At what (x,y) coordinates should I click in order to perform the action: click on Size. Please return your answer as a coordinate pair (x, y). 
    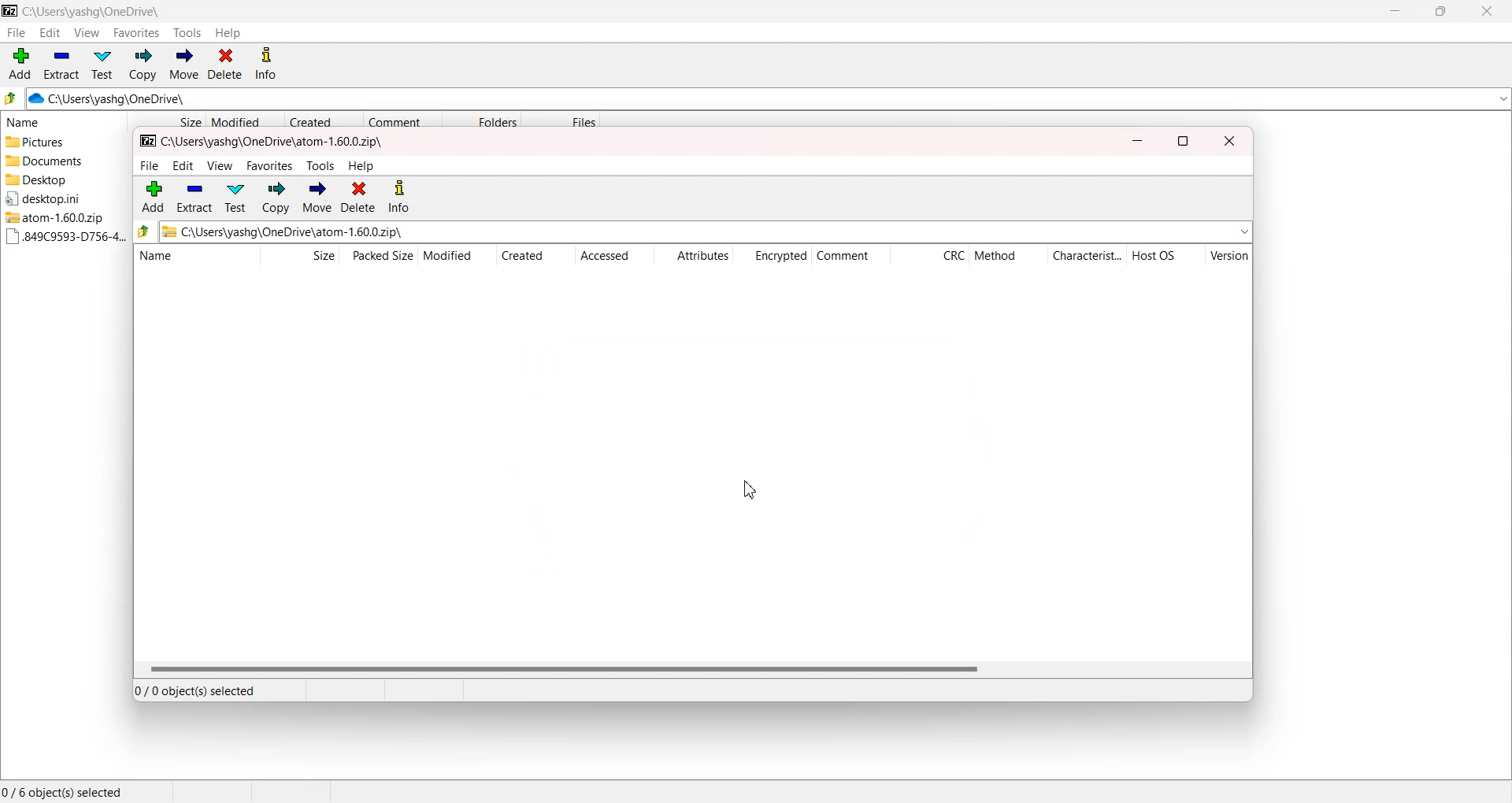
    Looking at the image, I should click on (166, 120).